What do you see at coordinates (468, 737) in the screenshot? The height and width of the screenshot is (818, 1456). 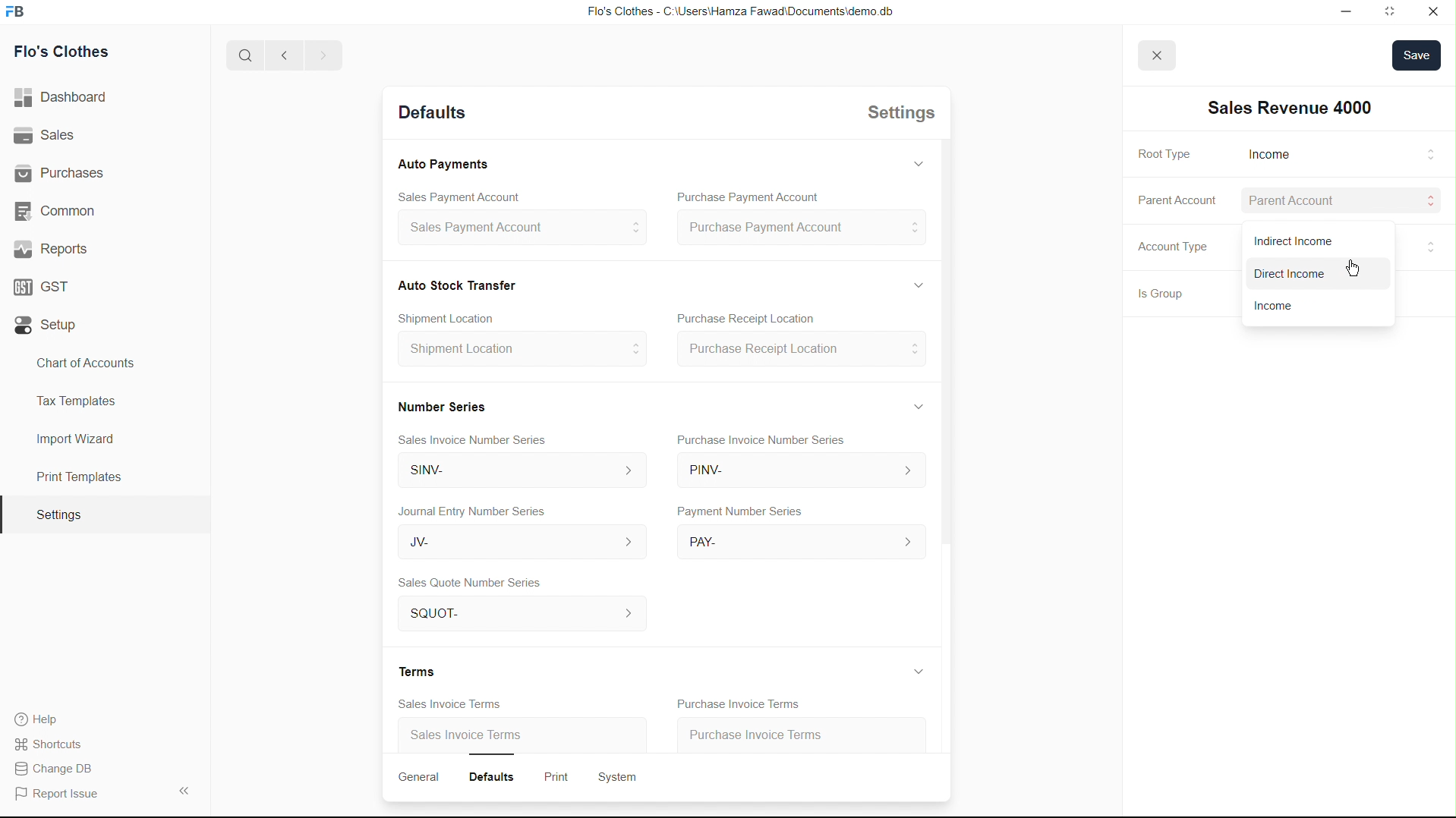 I see `Sales Invoice Terms` at bounding box center [468, 737].